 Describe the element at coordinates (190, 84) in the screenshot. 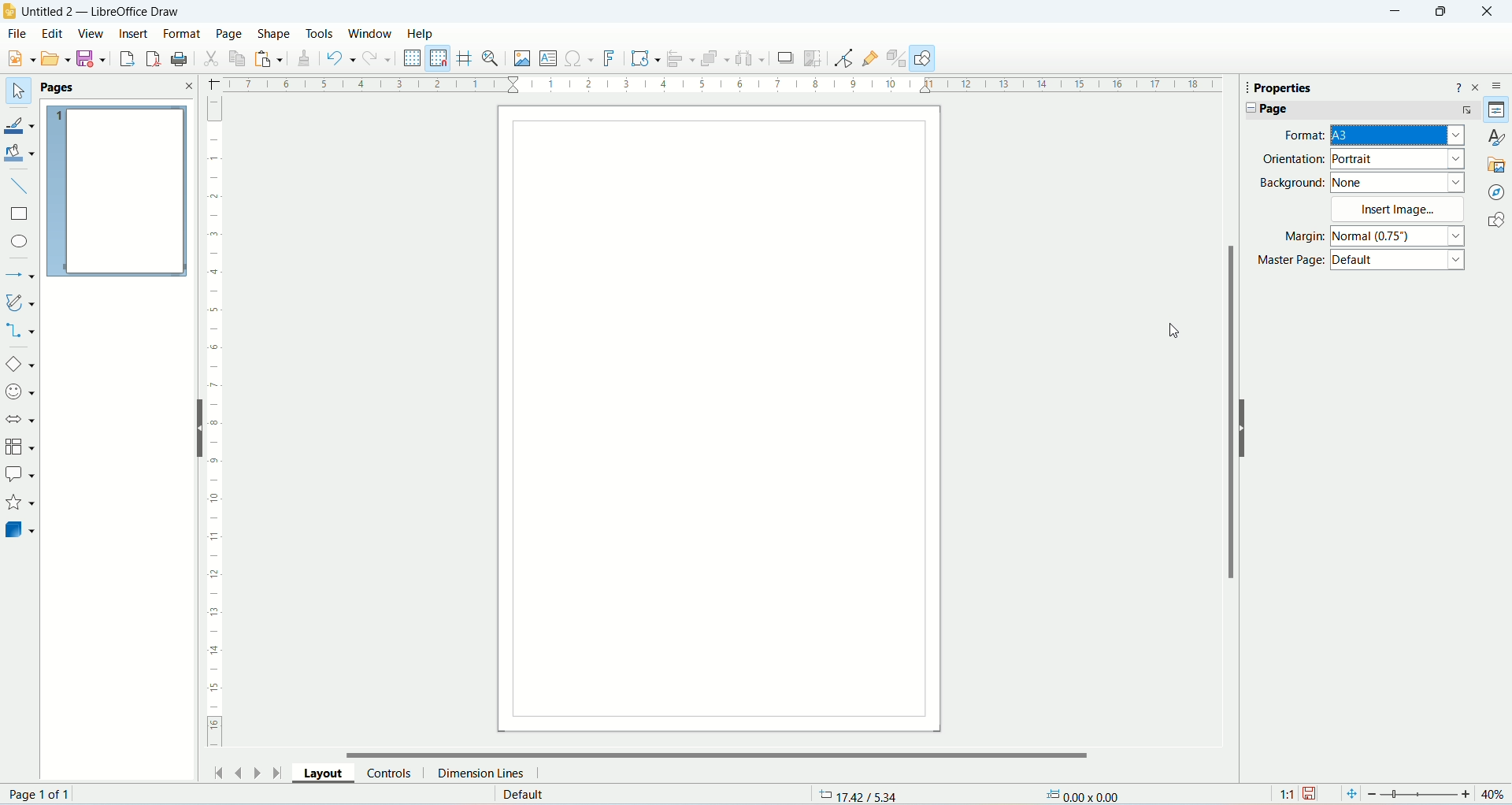

I see `close` at that location.